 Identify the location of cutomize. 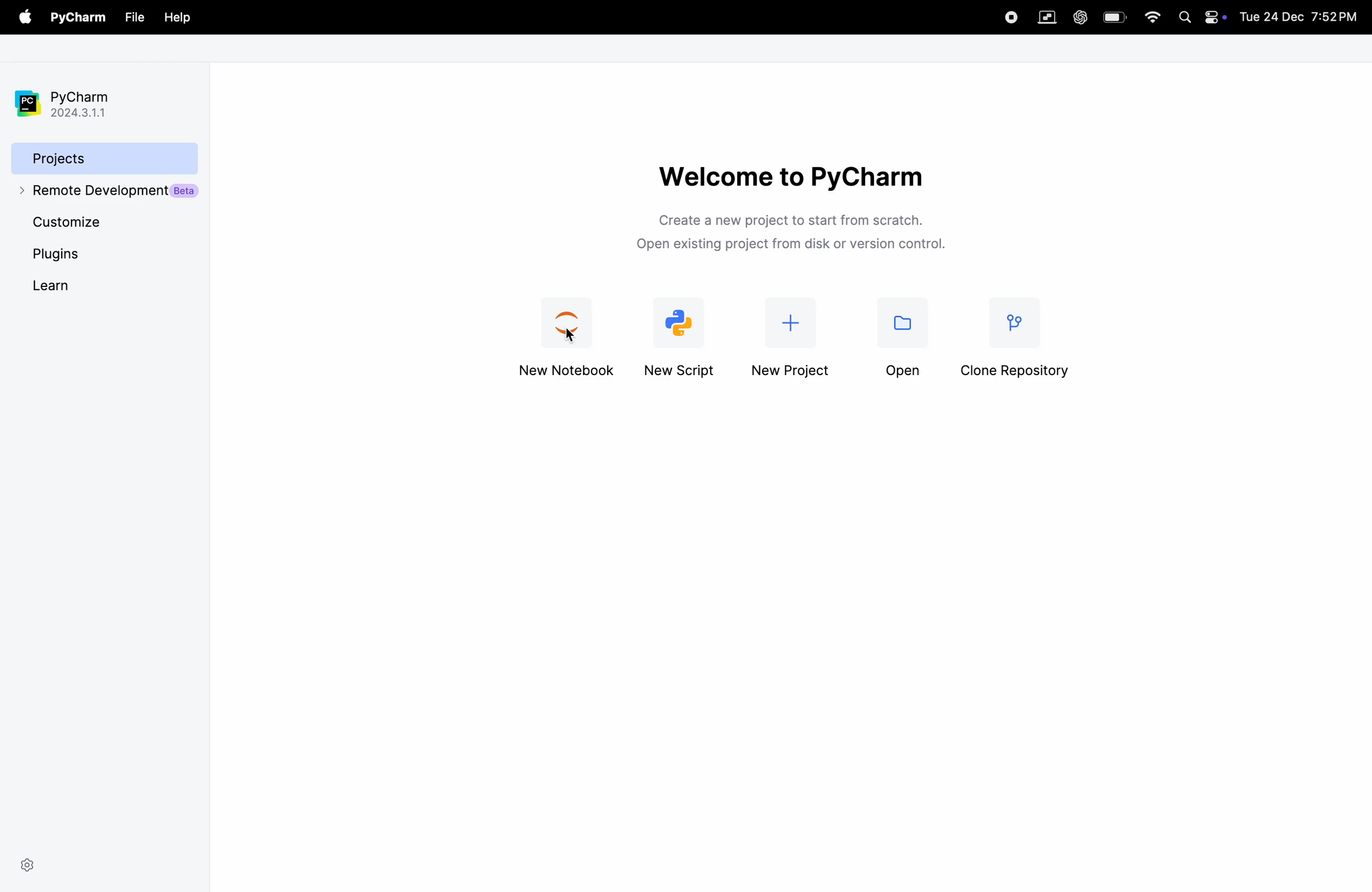
(75, 222).